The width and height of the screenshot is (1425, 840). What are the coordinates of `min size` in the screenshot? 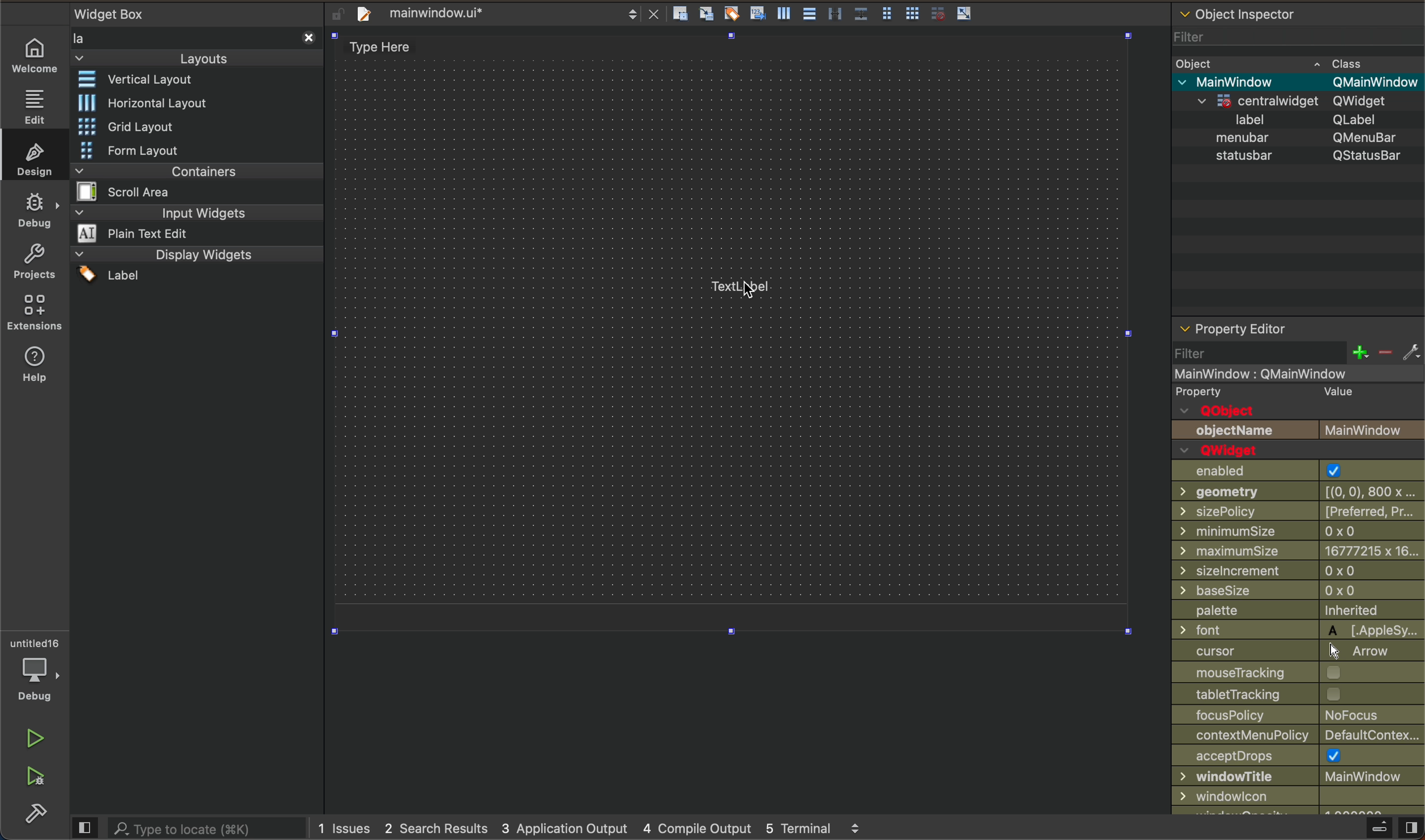 It's located at (1299, 530).